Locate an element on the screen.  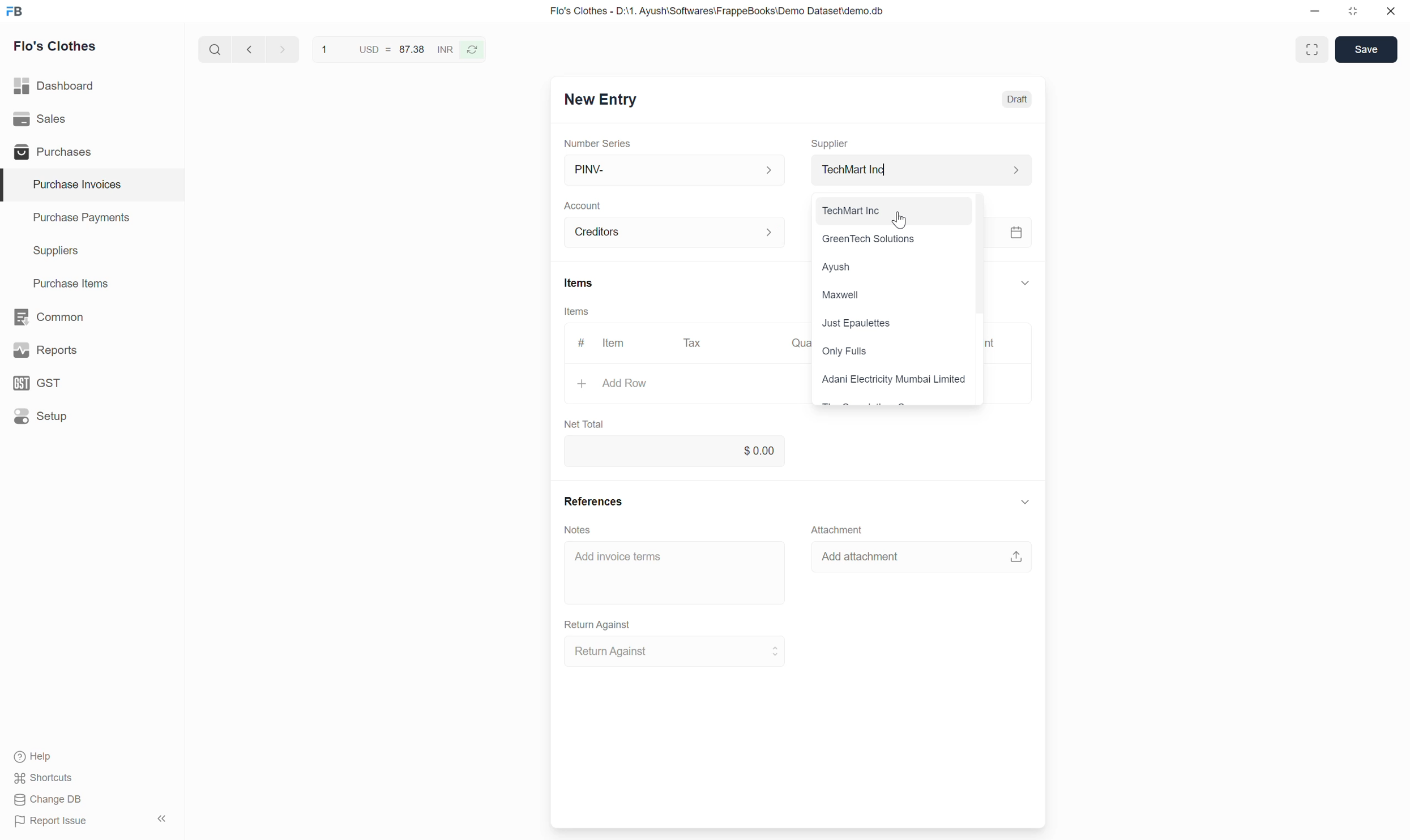
GST is located at coordinates (42, 383).